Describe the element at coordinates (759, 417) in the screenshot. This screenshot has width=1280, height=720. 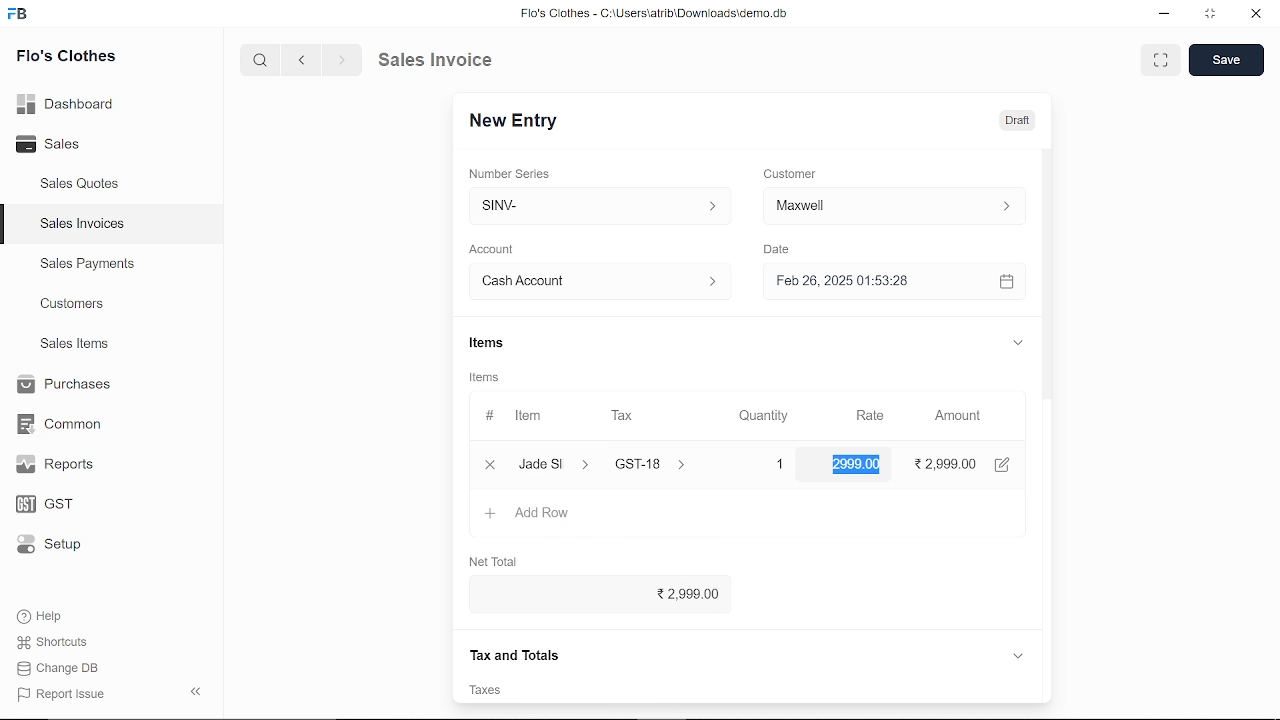
I see `Quantity` at that location.